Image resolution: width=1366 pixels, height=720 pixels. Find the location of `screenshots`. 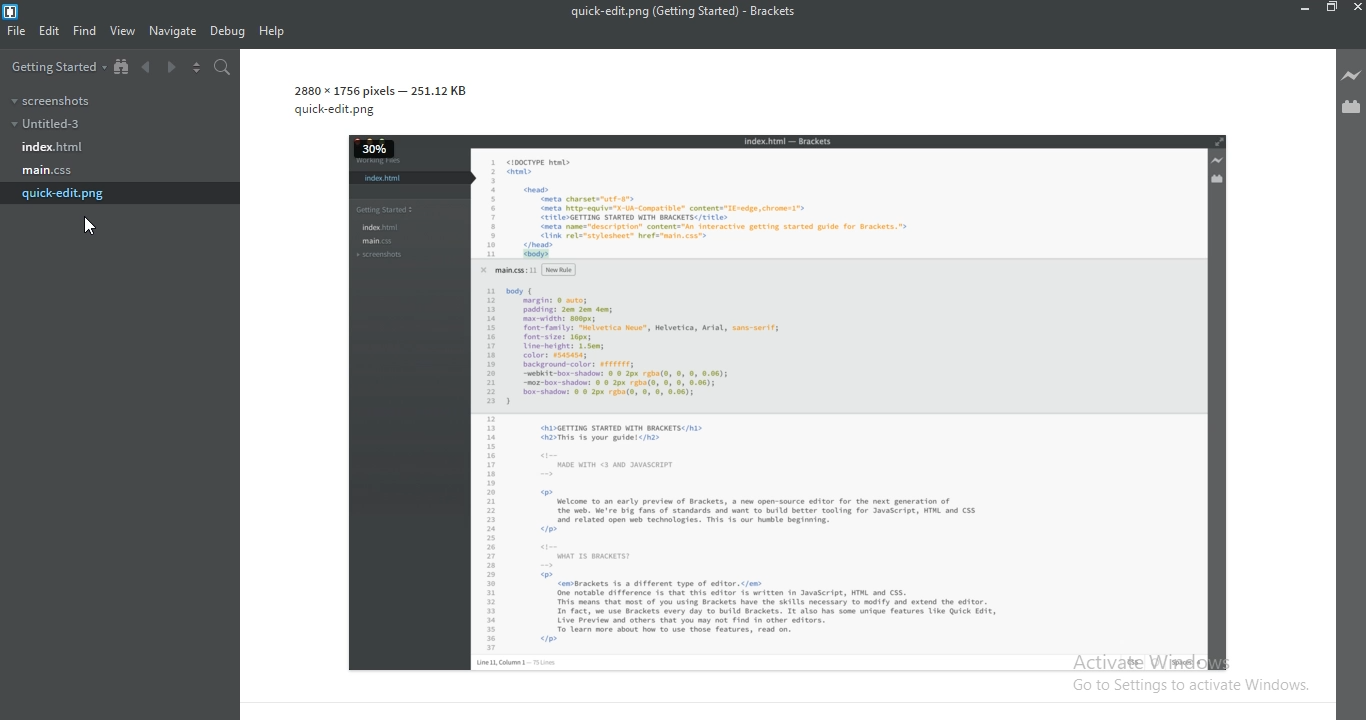

screenshots is located at coordinates (48, 99).